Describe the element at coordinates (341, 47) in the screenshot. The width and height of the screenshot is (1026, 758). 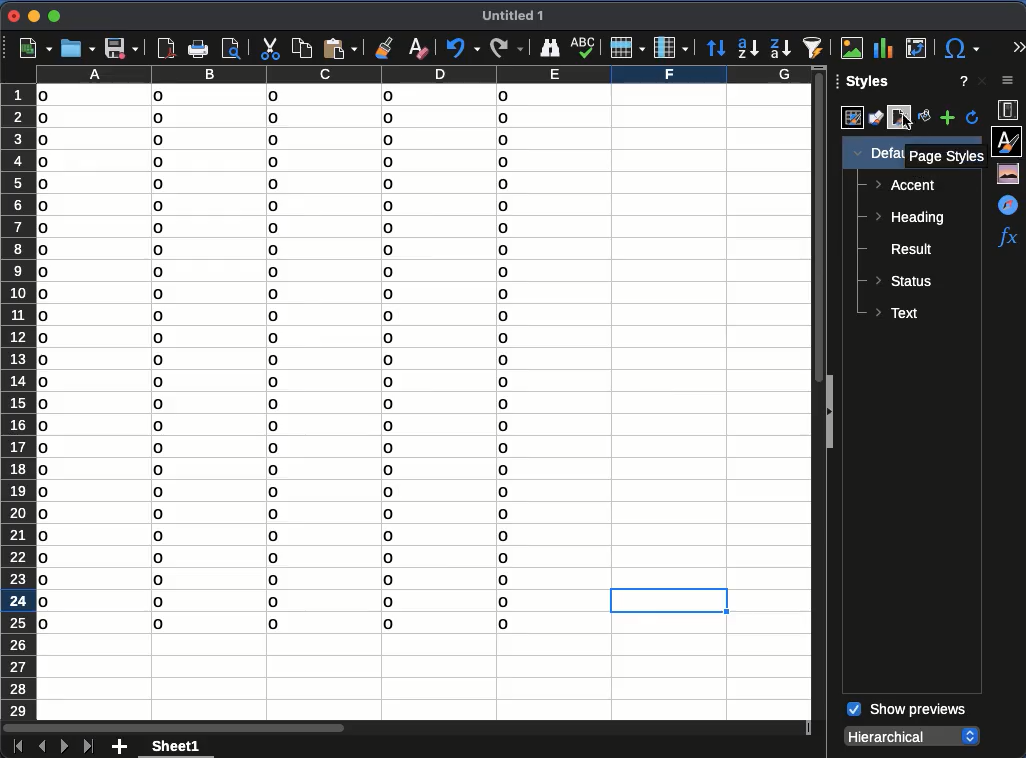
I see `paste` at that location.